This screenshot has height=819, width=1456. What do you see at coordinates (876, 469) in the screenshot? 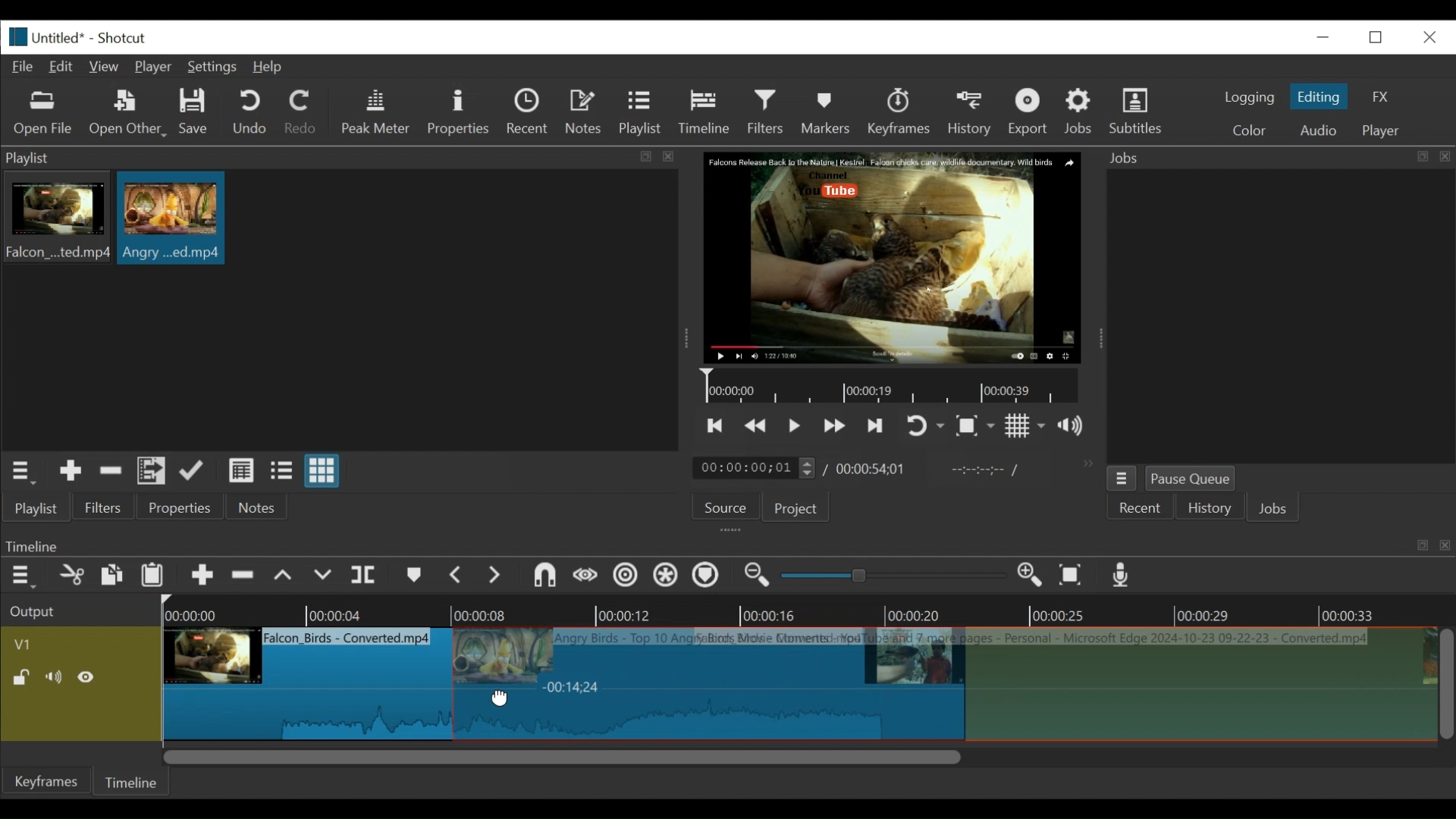
I see `Total duration` at bounding box center [876, 469].